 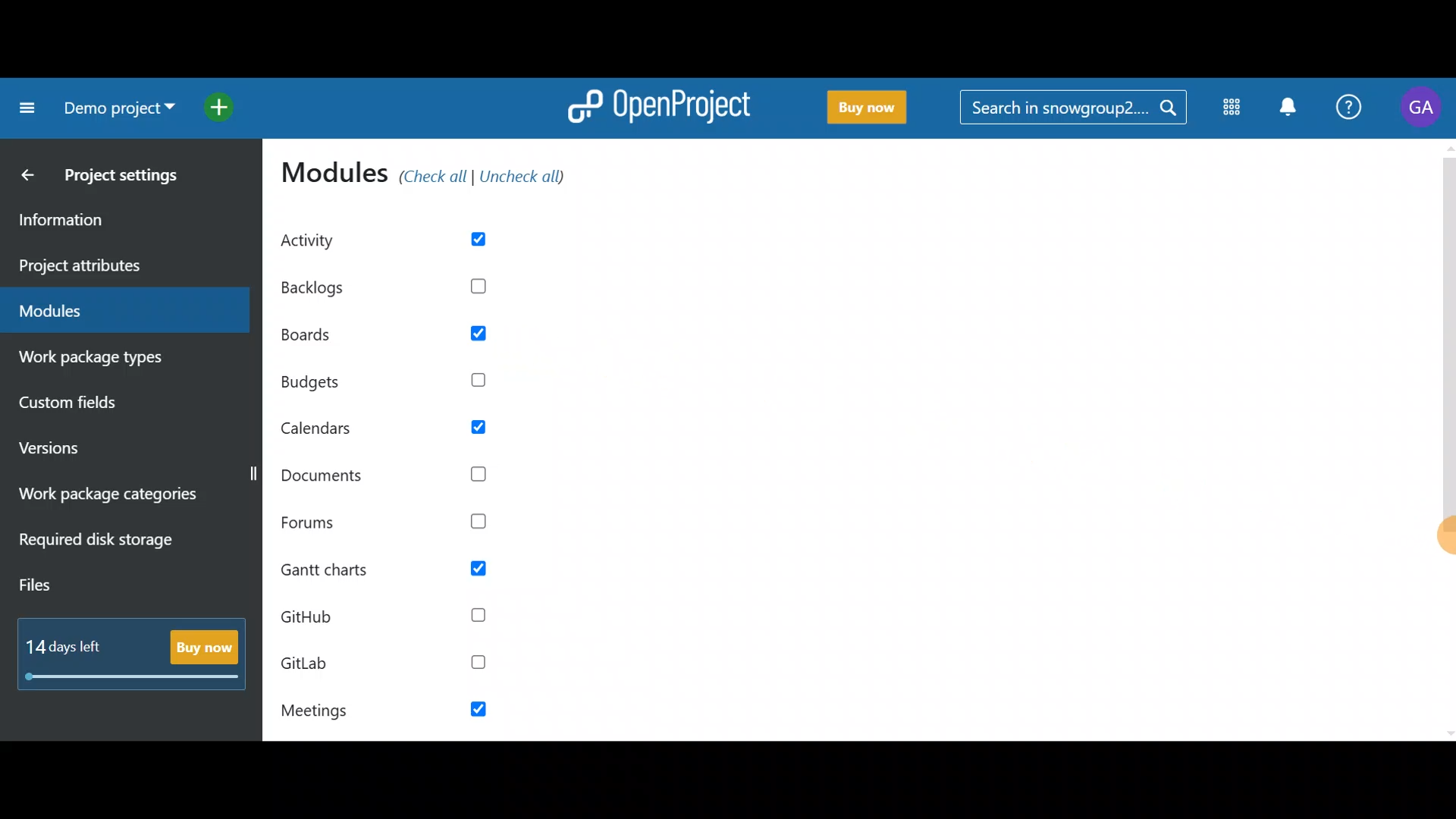 What do you see at coordinates (113, 222) in the screenshot?
I see `Information` at bounding box center [113, 222].